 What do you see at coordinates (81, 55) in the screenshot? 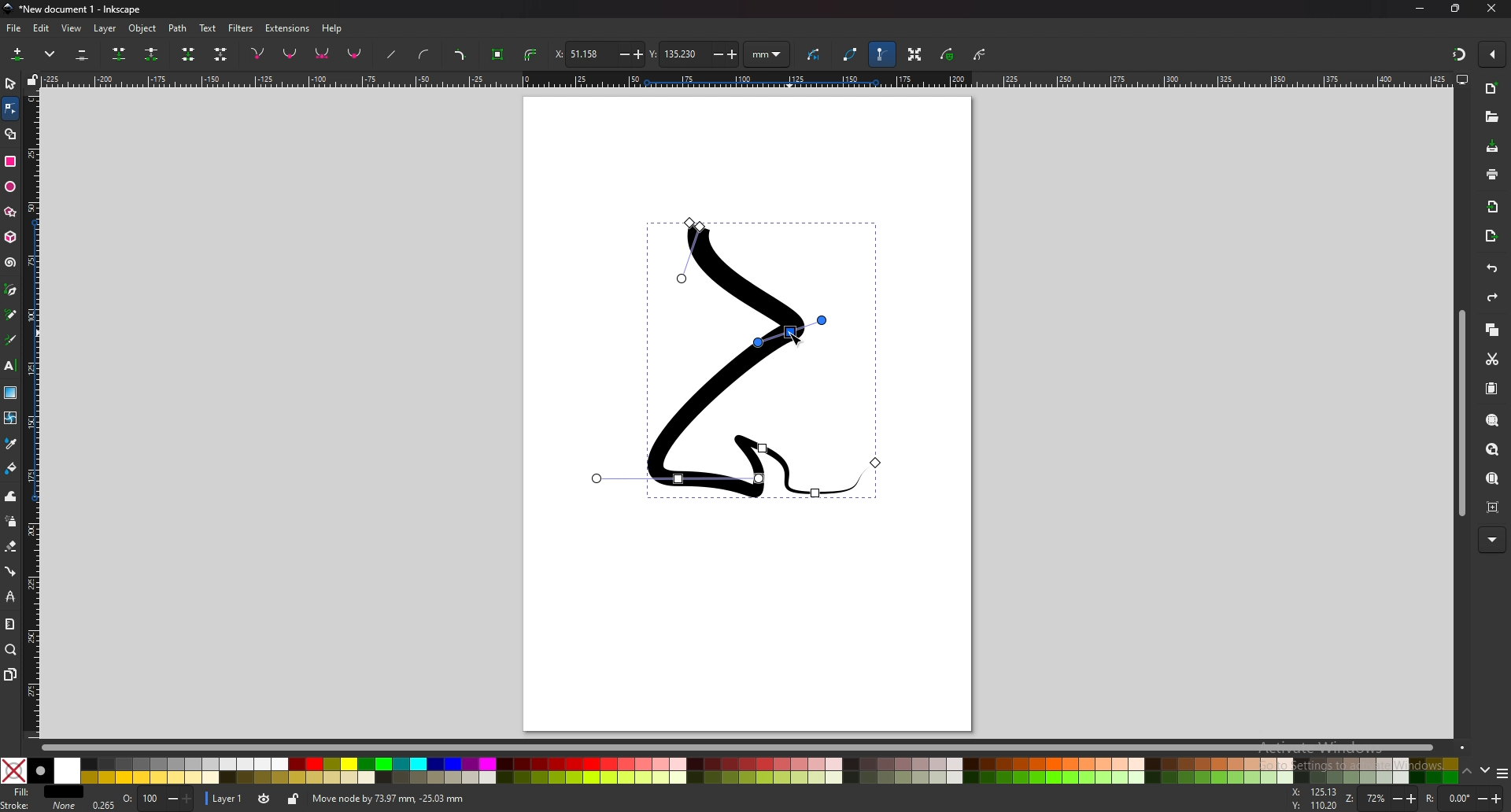
I see `delete selected nodes` at bounding box center [81, 55].